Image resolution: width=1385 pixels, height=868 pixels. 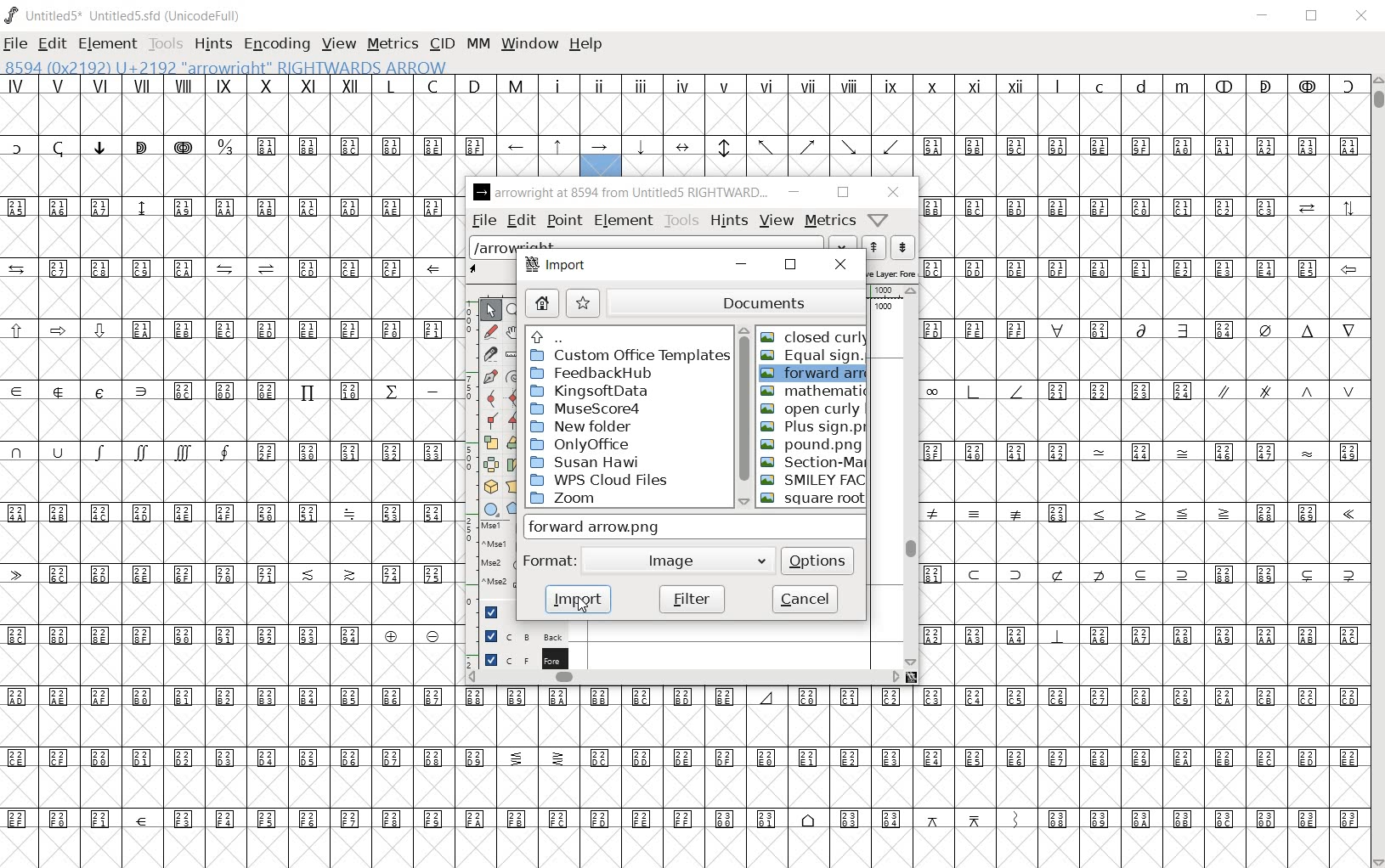 What do you see at coordinates (489, 487) in the screenshot?
I see `rotate the selection in 3D and project back to plane` at bounding box center [489, 487].